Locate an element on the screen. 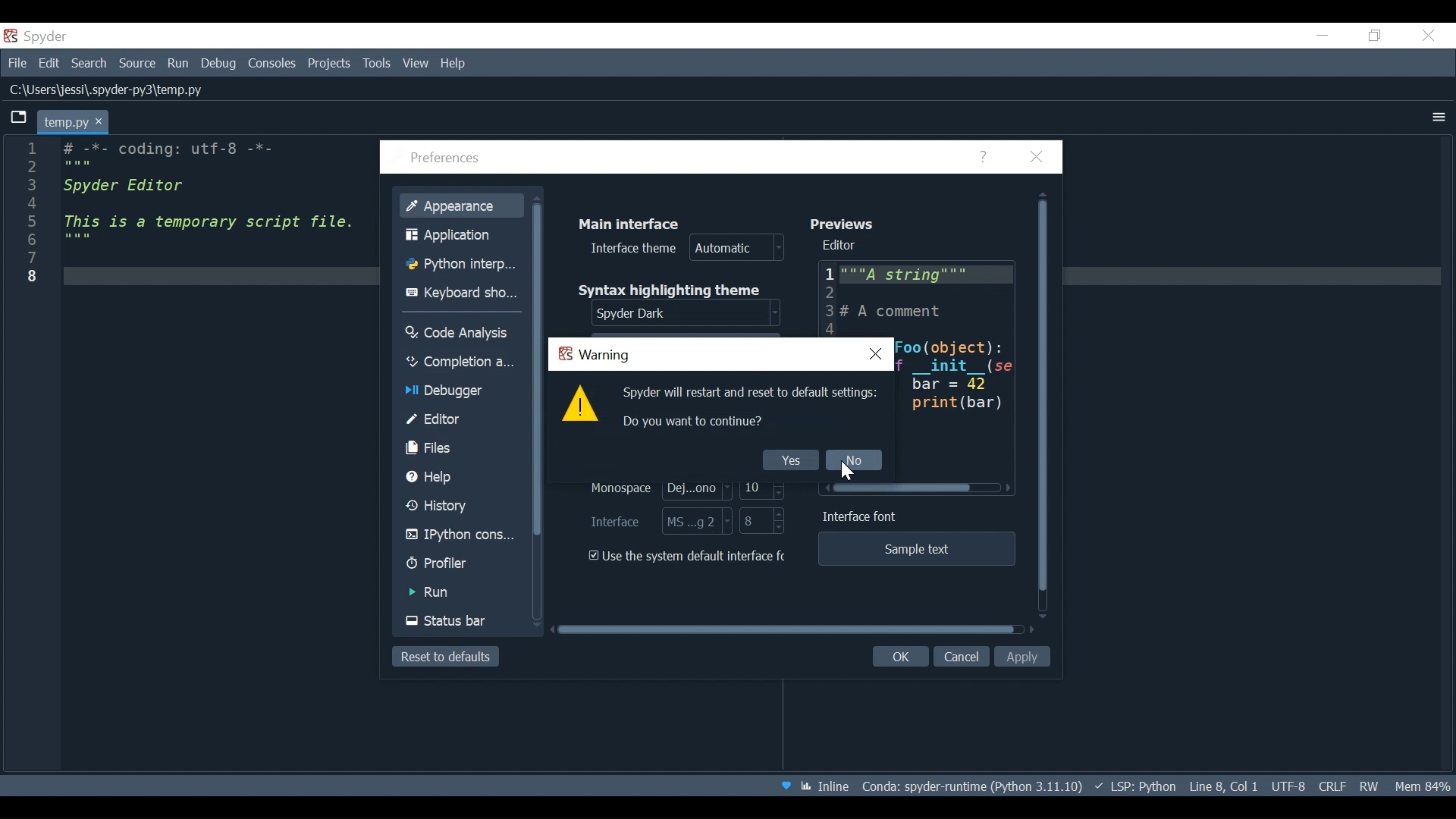 This screenshot has width=1456, height=819. Toggle between inline and interactive Matplotlib plotting is located at coordinates (827, 786).